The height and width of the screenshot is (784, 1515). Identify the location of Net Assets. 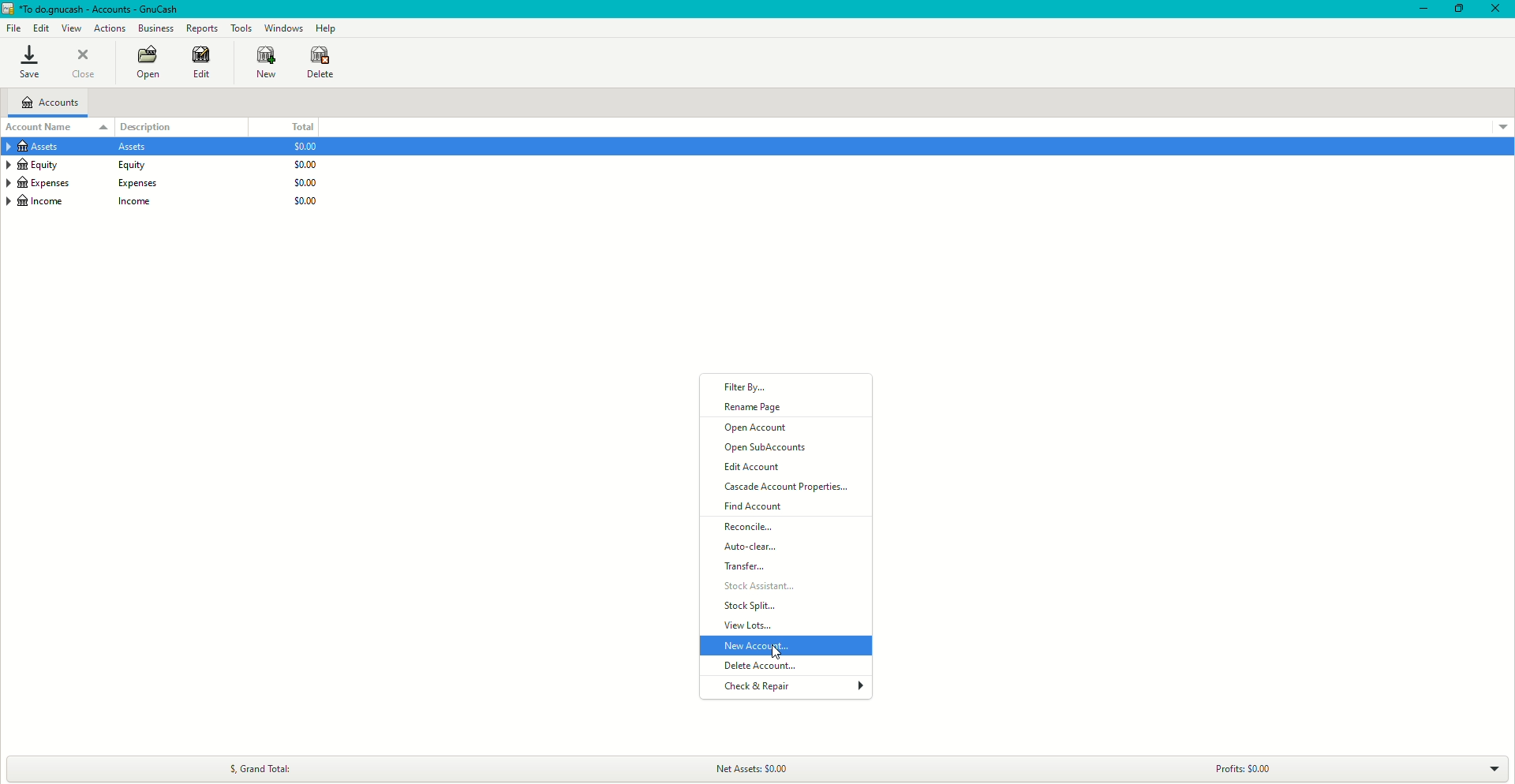
(764, 767).